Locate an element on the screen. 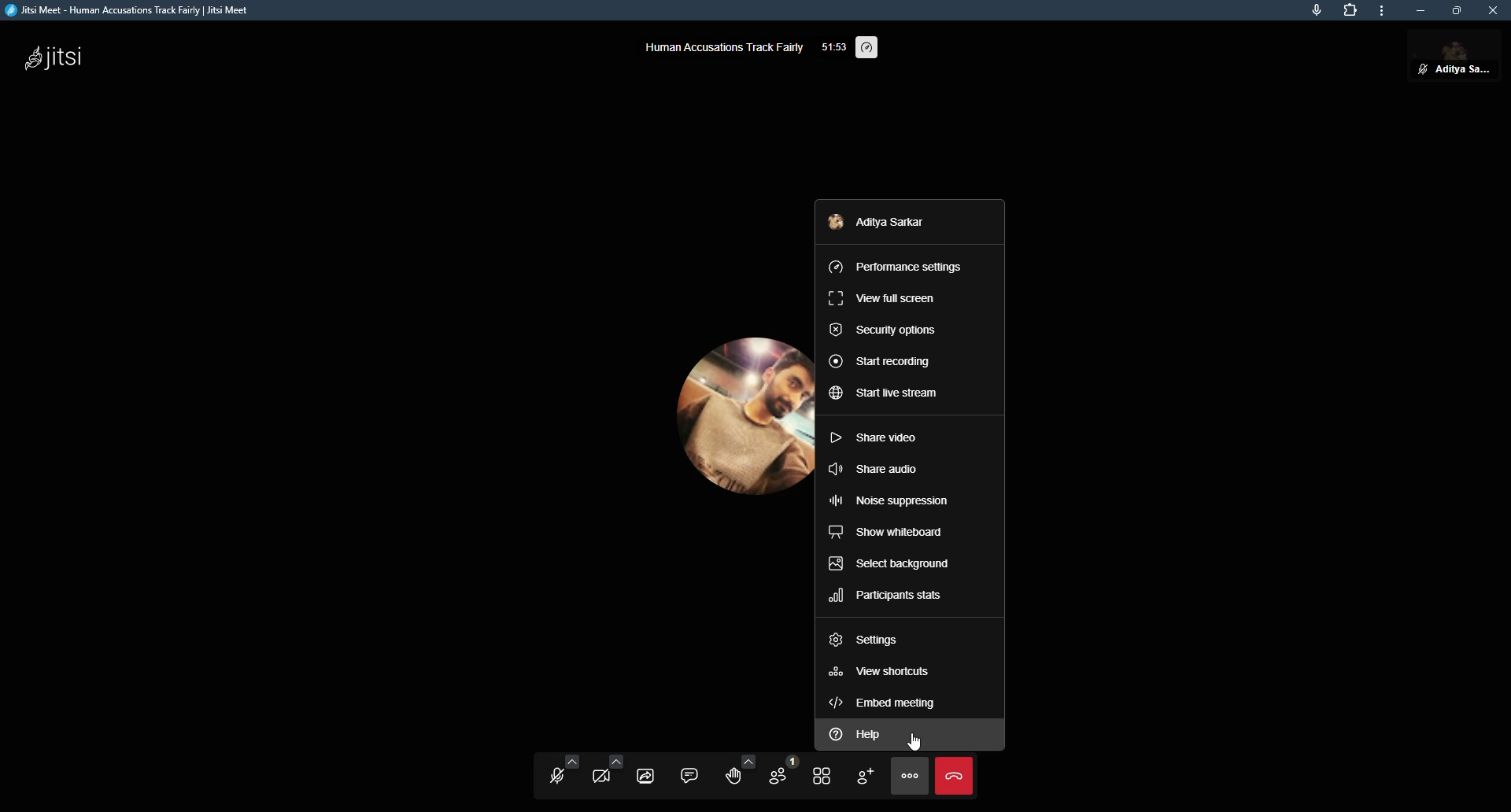 Image resolution: width=1511 pixels, height=812 pixels. jitsi meet is located at coordinates (126, 10).